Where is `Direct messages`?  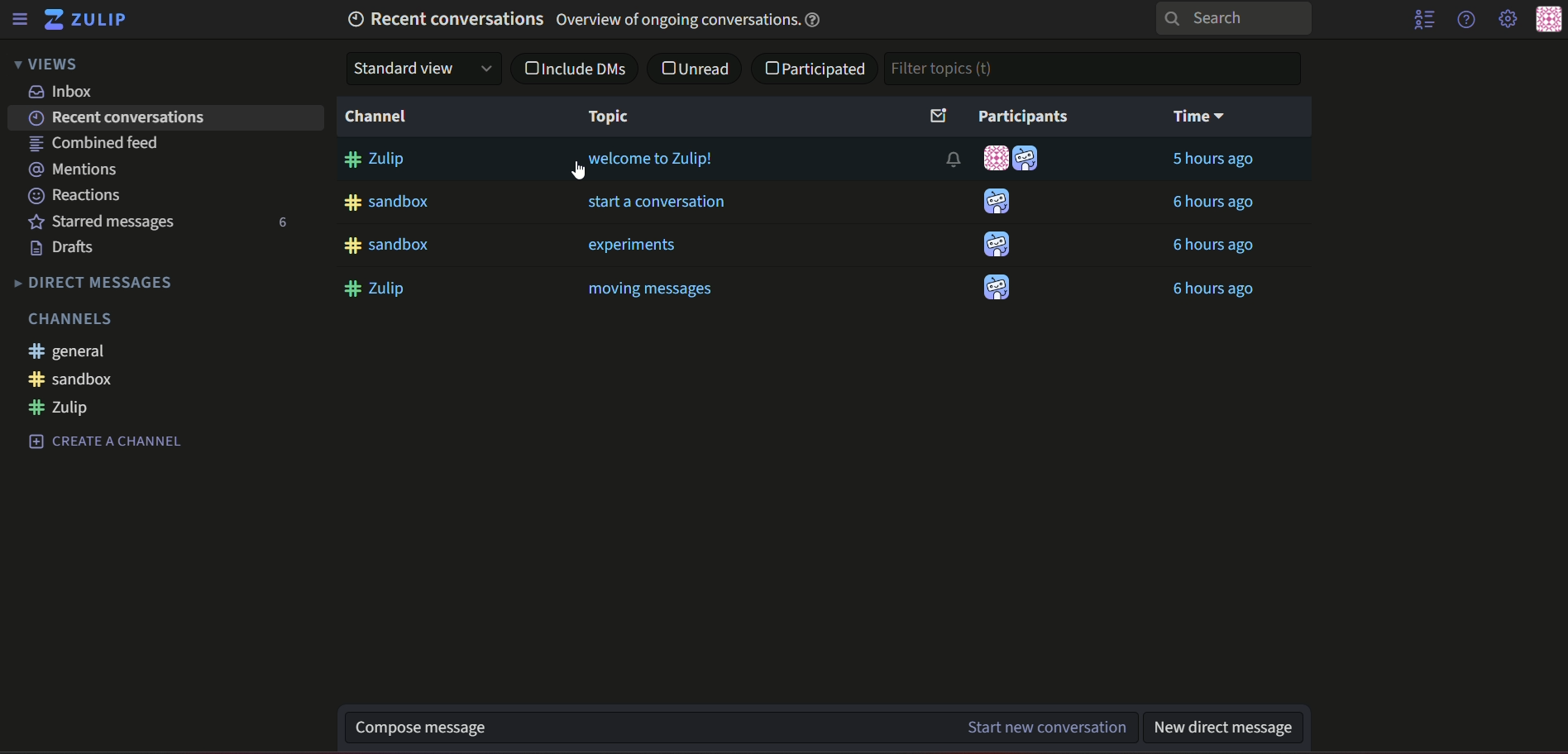
Direct messages is located at coordinates (92, 284).